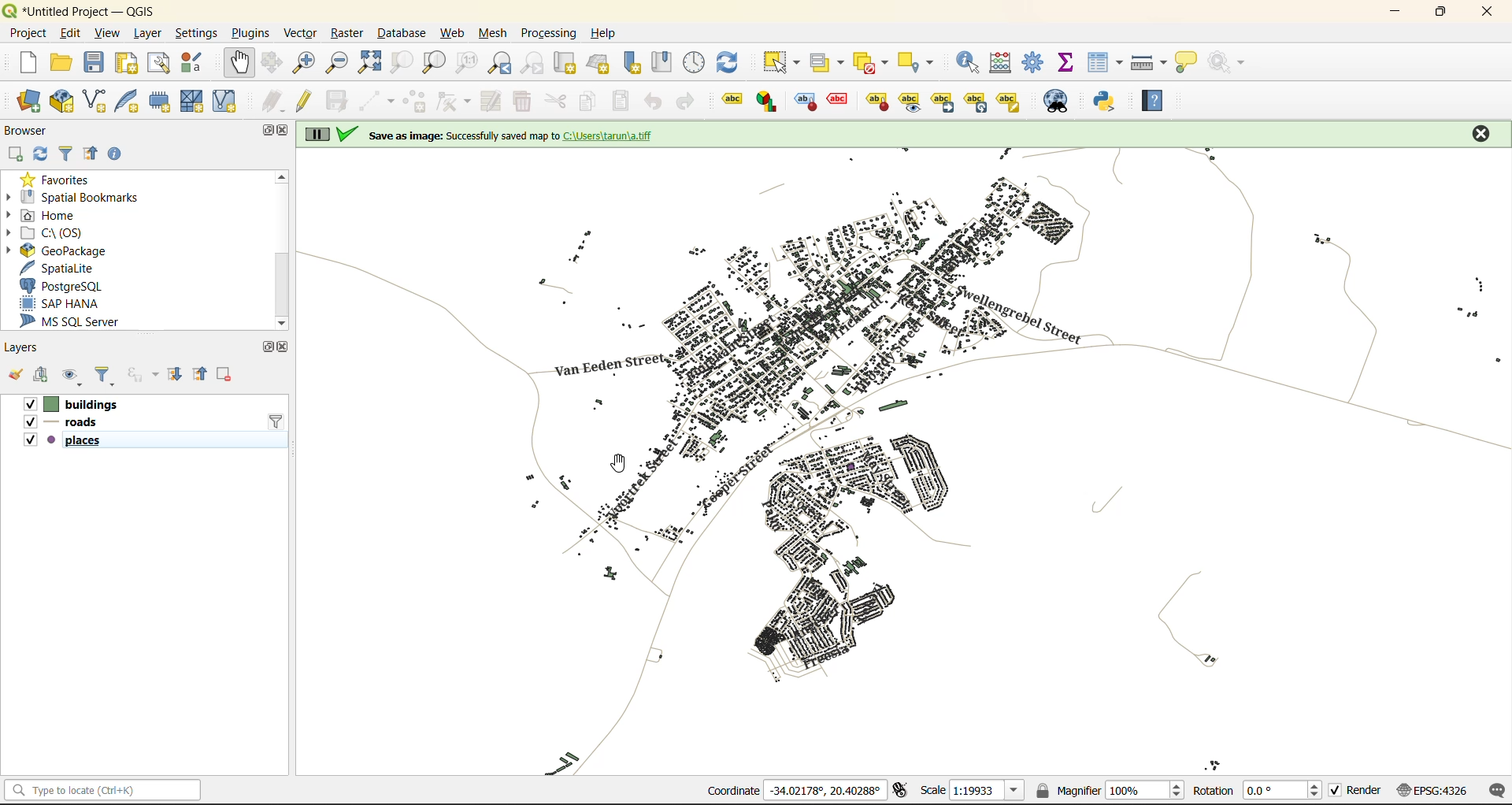  Describe the element at coordinates (31, 102) in the screenshot. I see `open data source manager` at that location.